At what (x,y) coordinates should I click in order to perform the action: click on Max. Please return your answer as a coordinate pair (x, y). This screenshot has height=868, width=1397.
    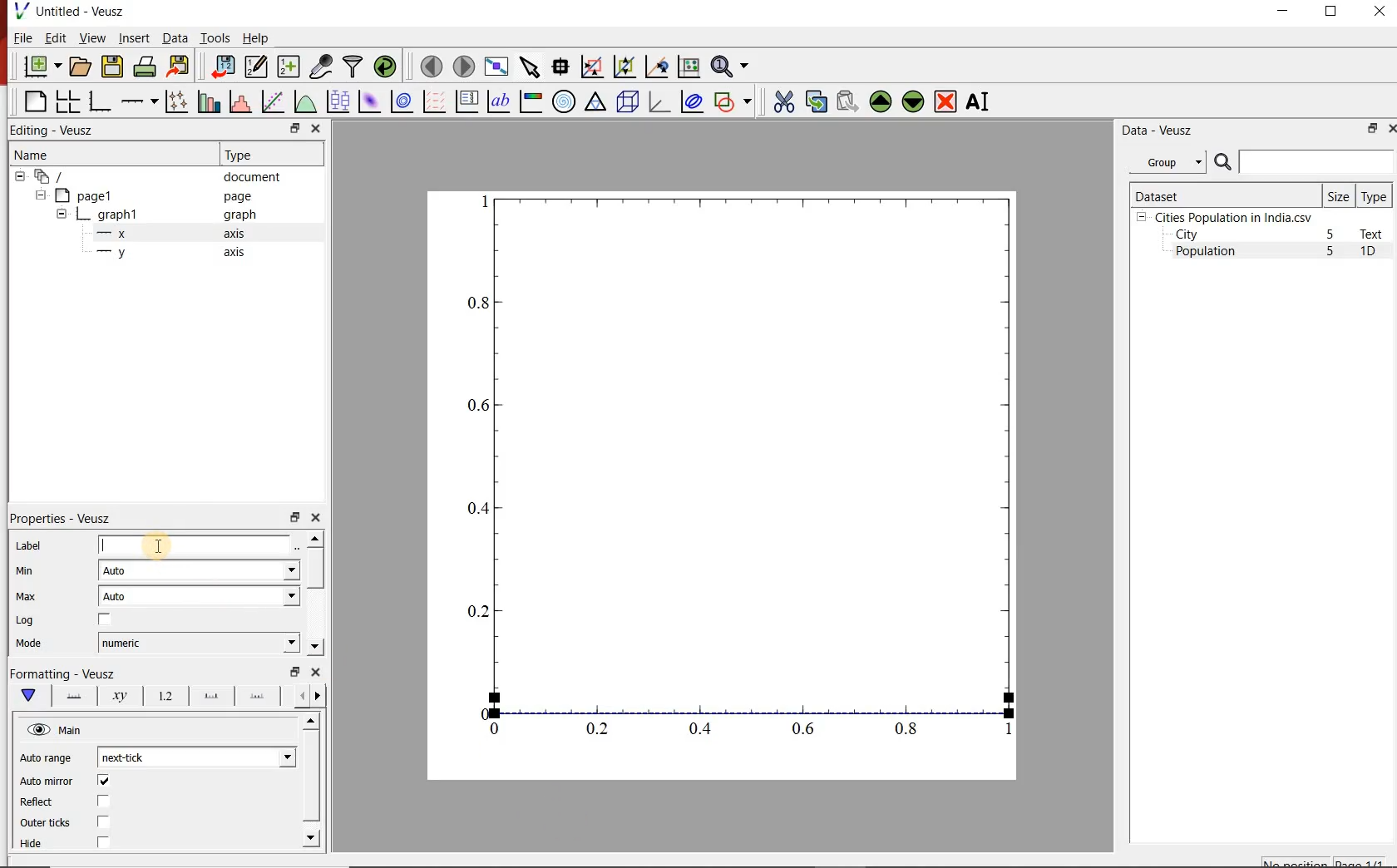
    Looking at the image, I should click on (25, 596).